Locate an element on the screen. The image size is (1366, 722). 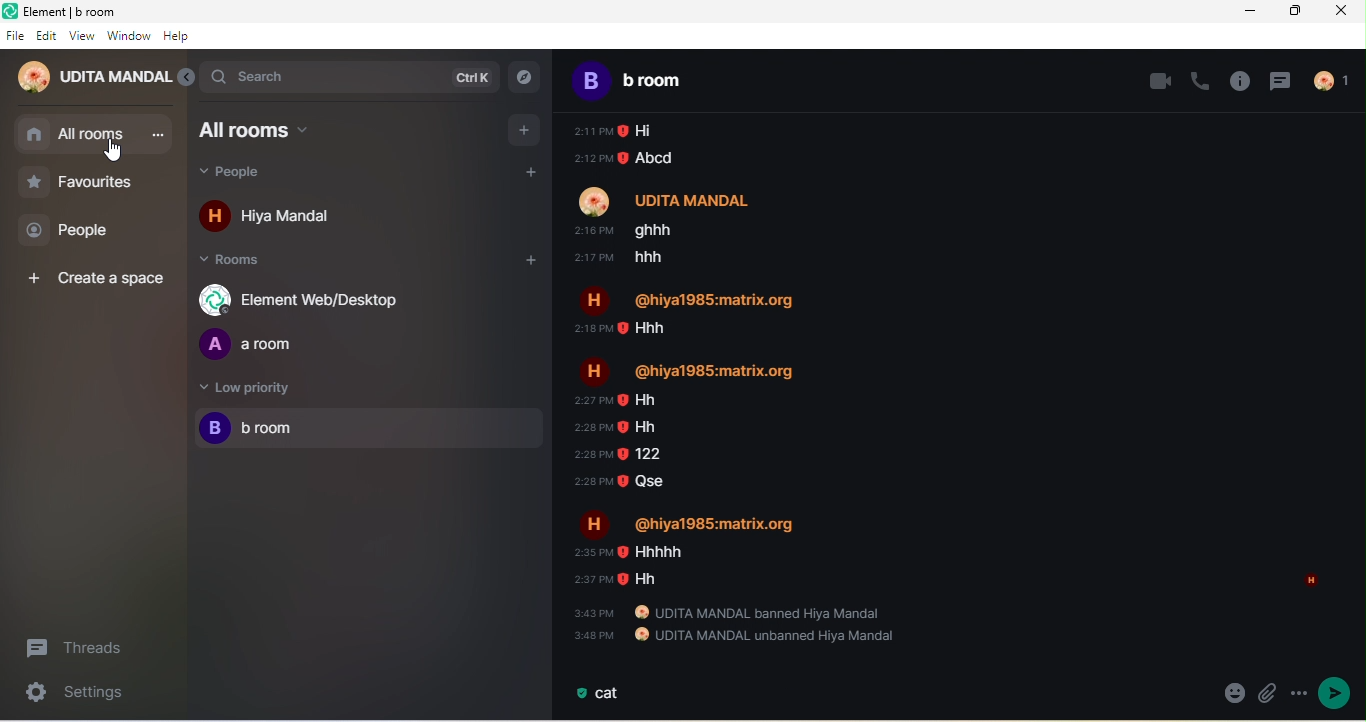
window is located at coordinates (129, 37).